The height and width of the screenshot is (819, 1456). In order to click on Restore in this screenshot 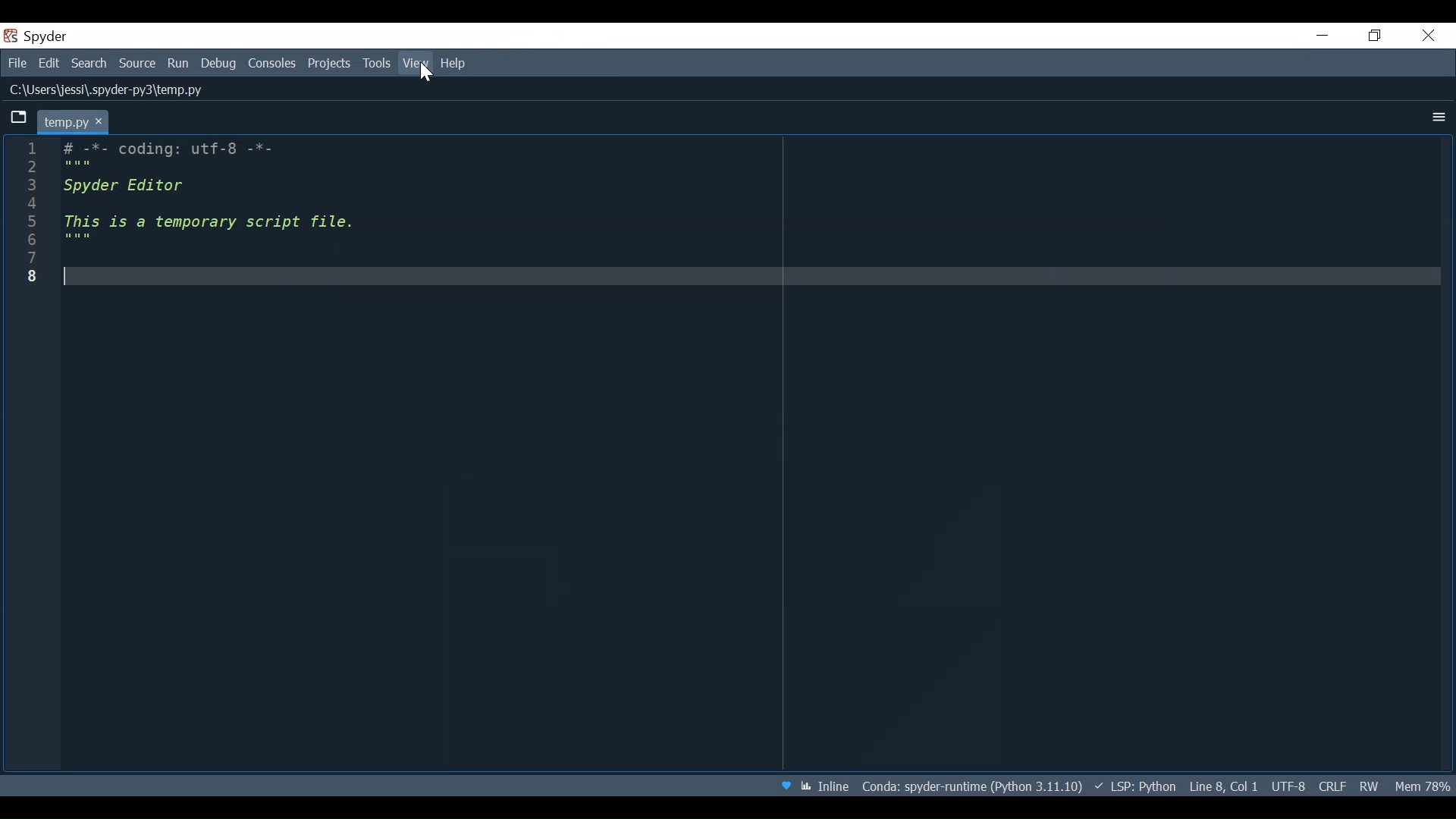, I will do `click(1372, 35)`.